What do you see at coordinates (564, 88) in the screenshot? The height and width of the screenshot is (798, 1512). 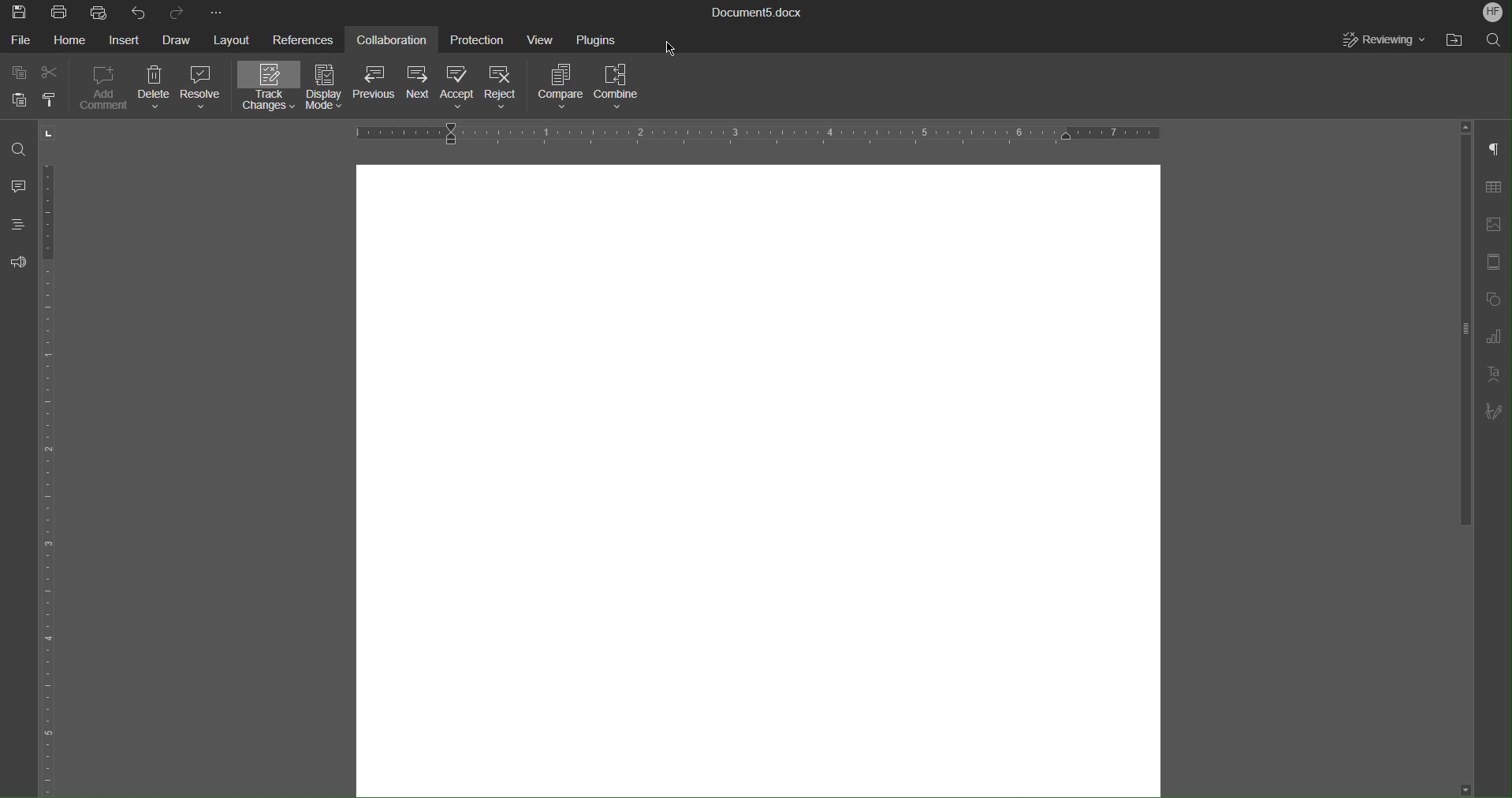 I see `Compare` at bounding box center [564, 88].